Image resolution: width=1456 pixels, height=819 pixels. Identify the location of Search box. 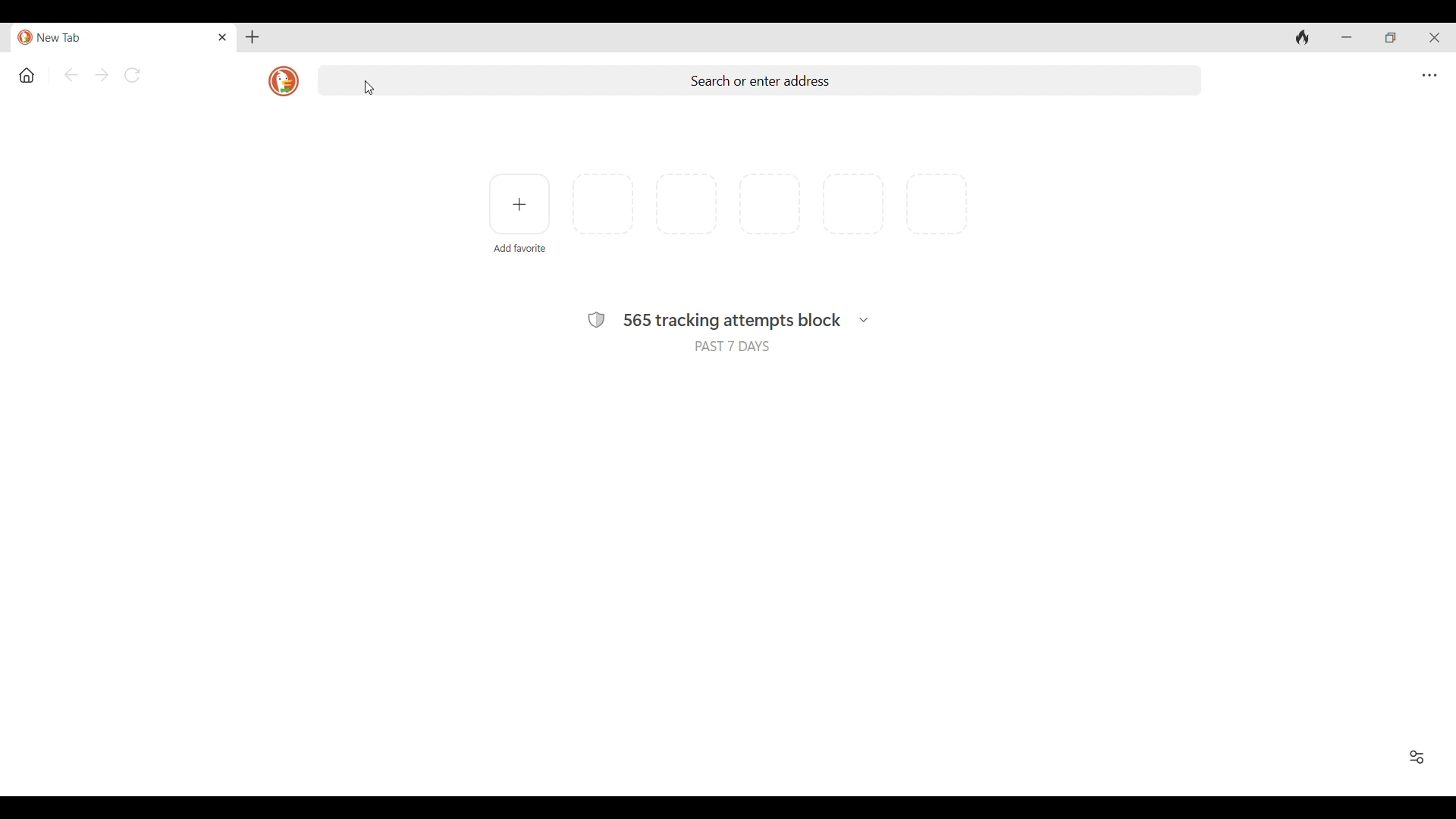
(759, 80).